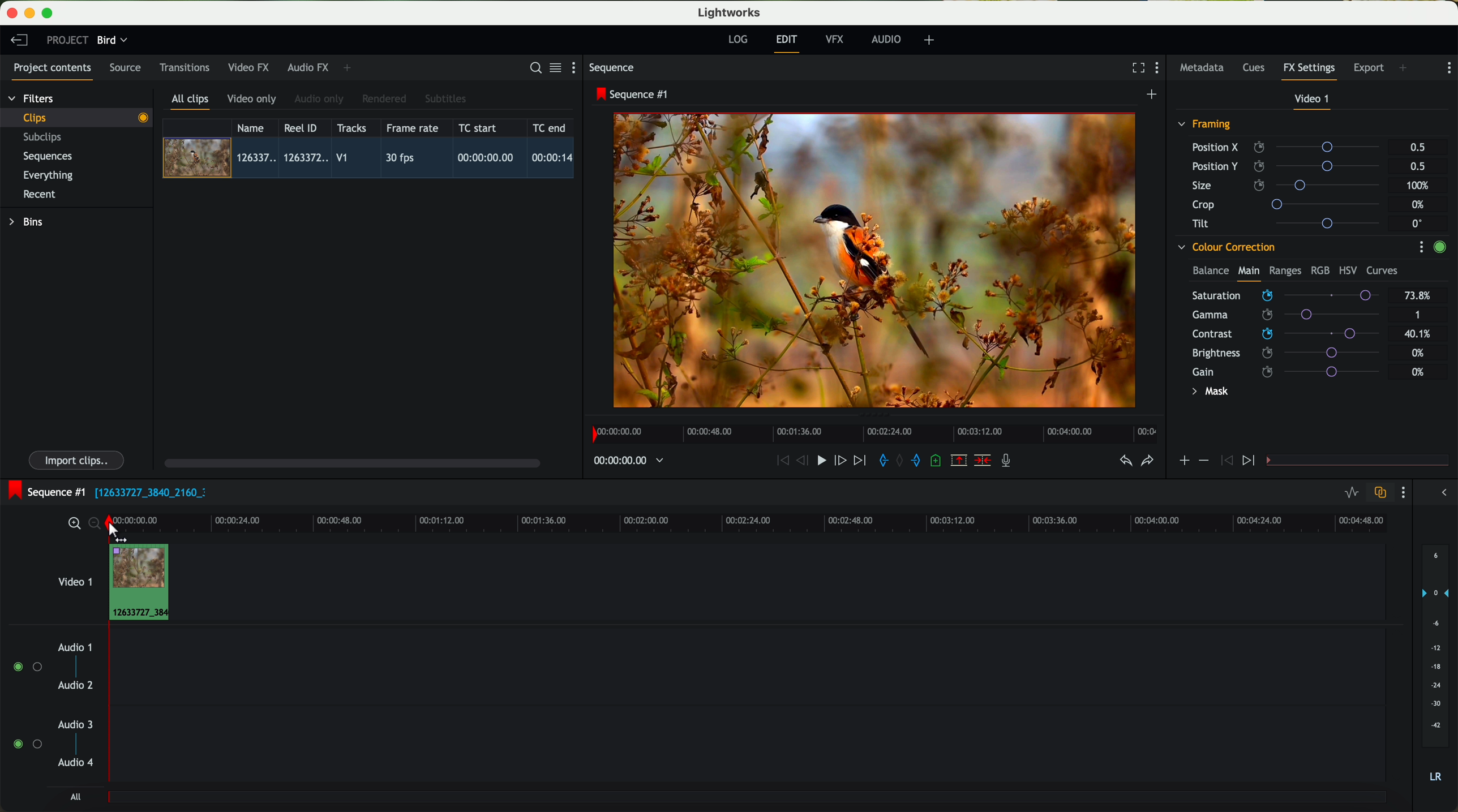 The image size is (1458, 812). I want to click on position X, so click(1290, 147).